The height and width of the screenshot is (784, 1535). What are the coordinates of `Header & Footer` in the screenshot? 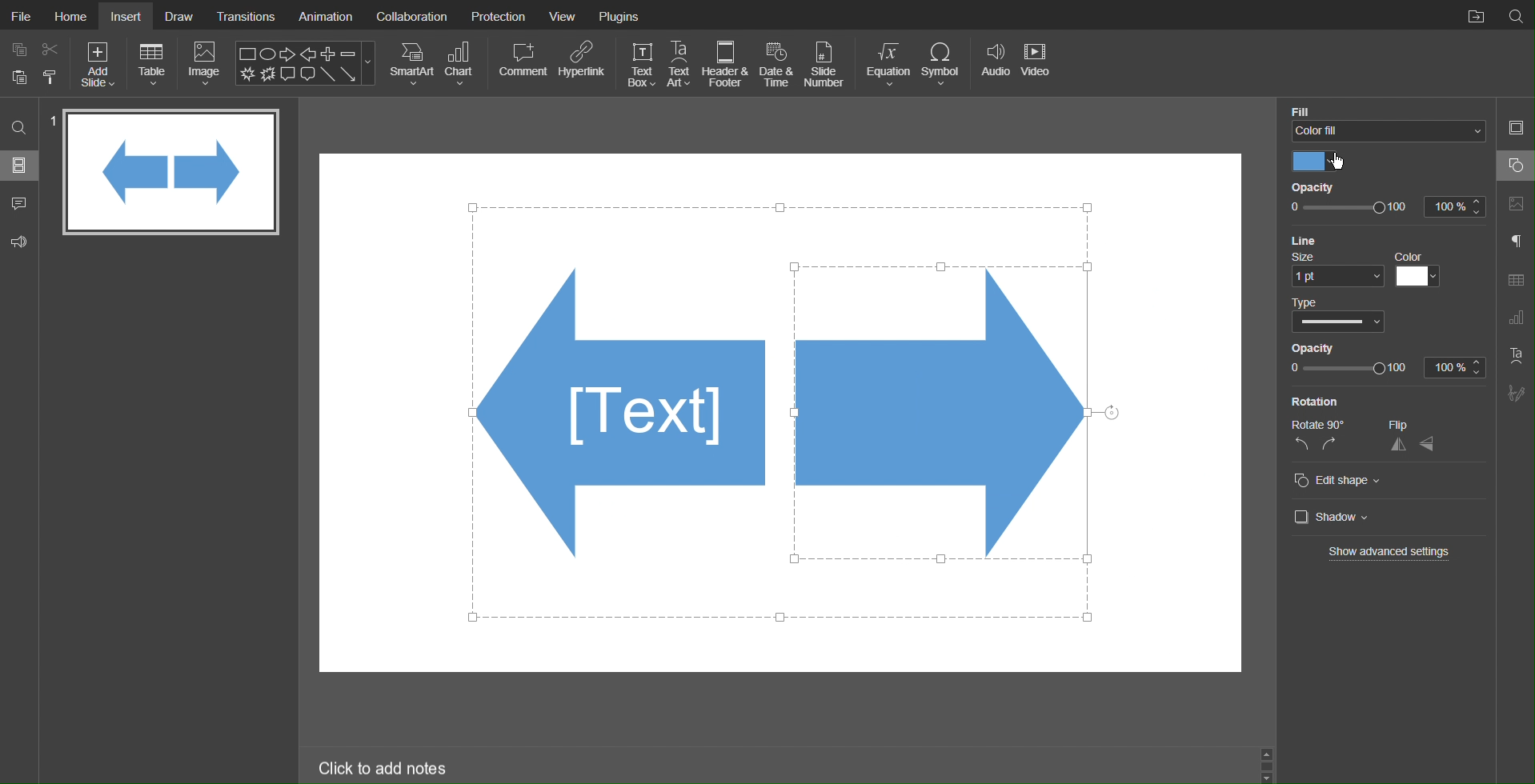 It's located at (727, 64).